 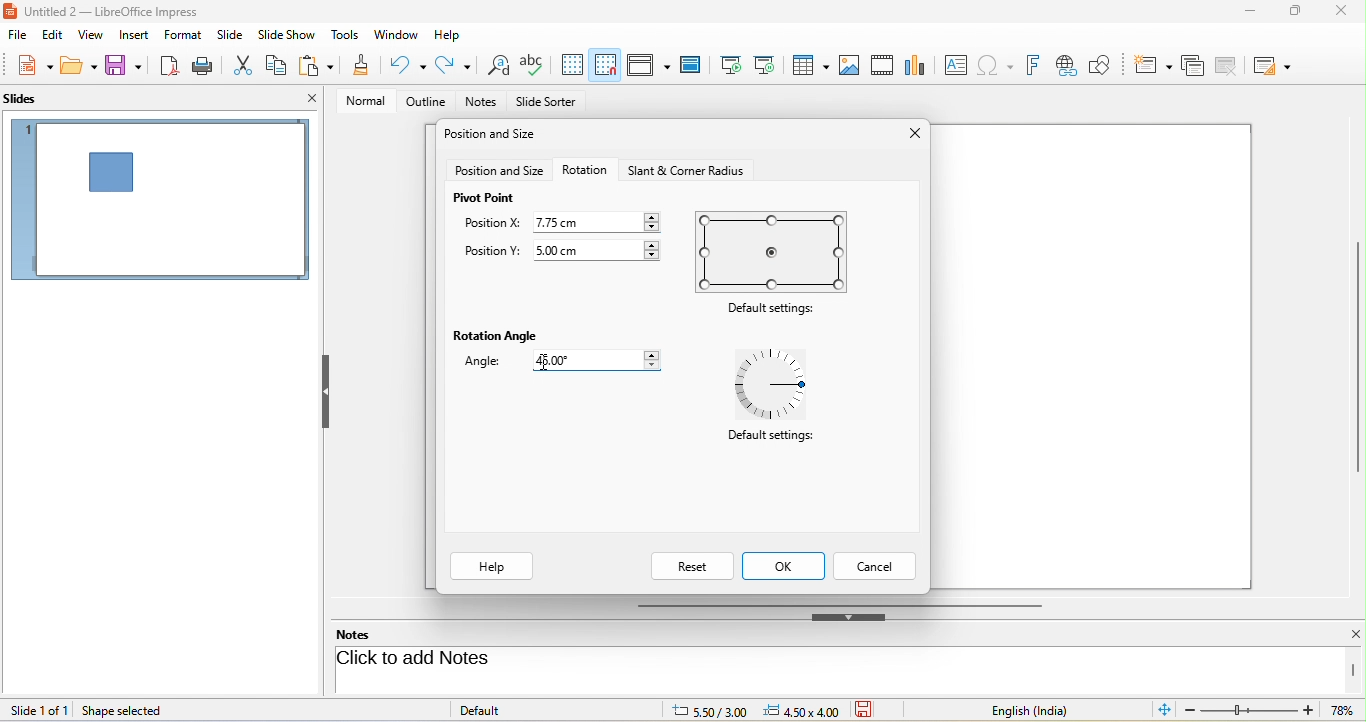 I want to click on ok, so click(x=786, y=566).